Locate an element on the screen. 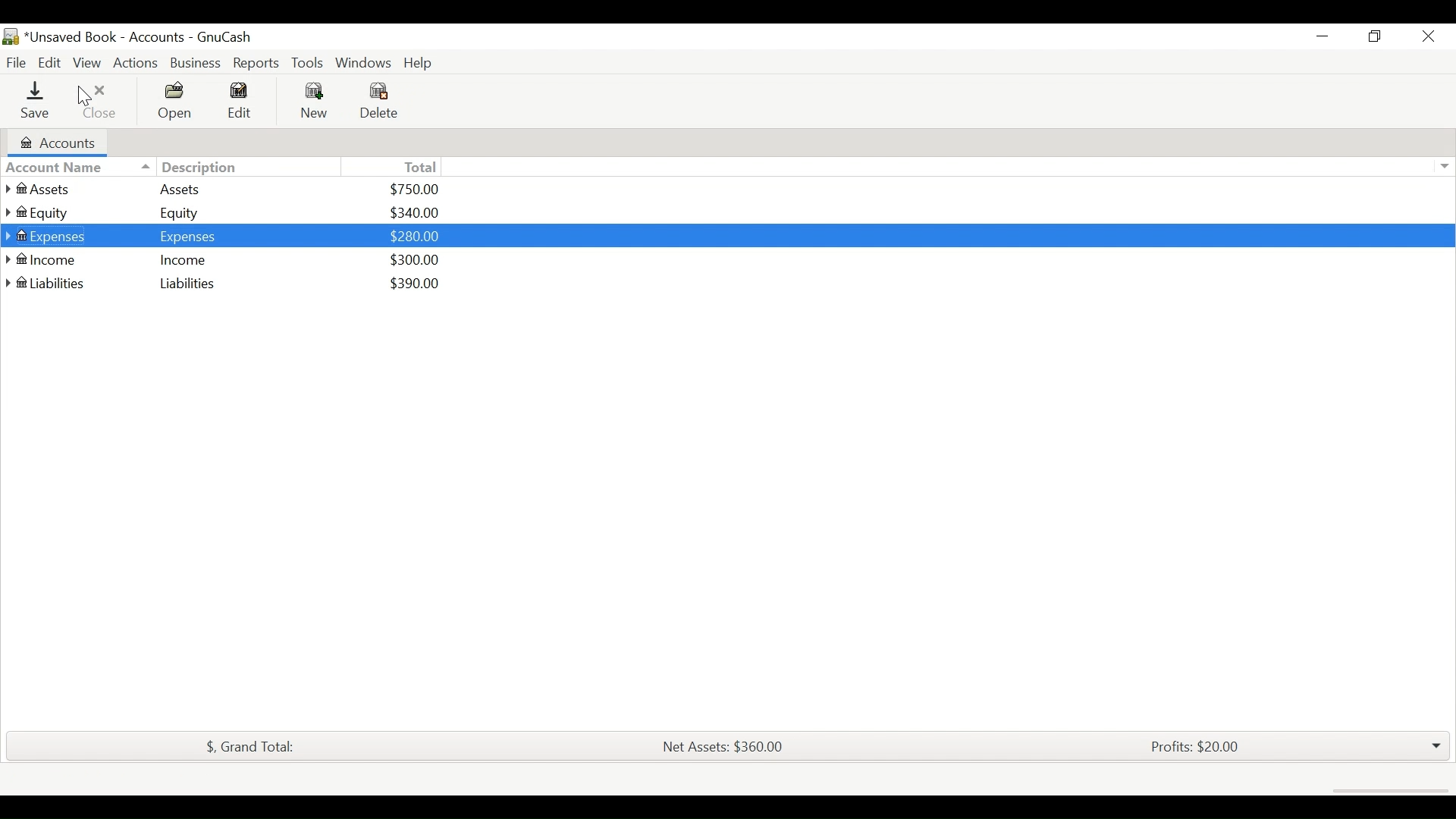  liabilities is located at coordinates (54, 285).